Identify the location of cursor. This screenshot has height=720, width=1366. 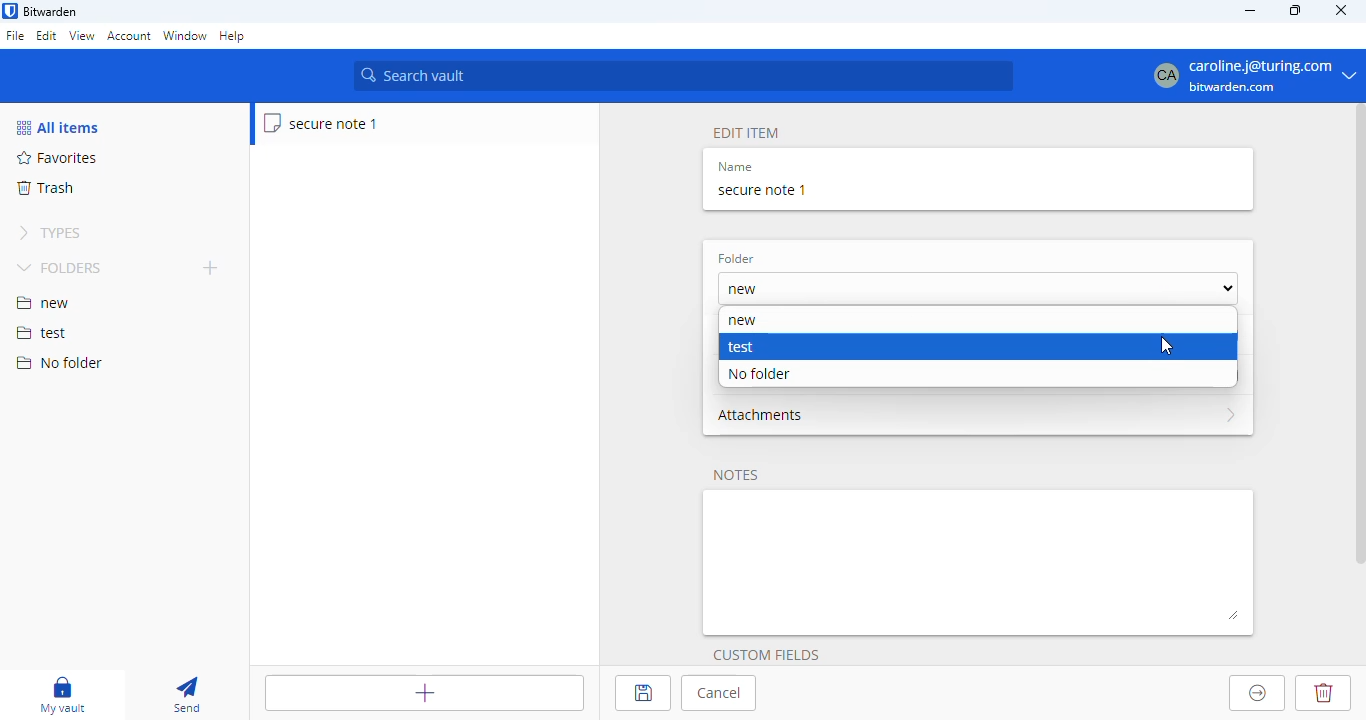
(1167, 347).